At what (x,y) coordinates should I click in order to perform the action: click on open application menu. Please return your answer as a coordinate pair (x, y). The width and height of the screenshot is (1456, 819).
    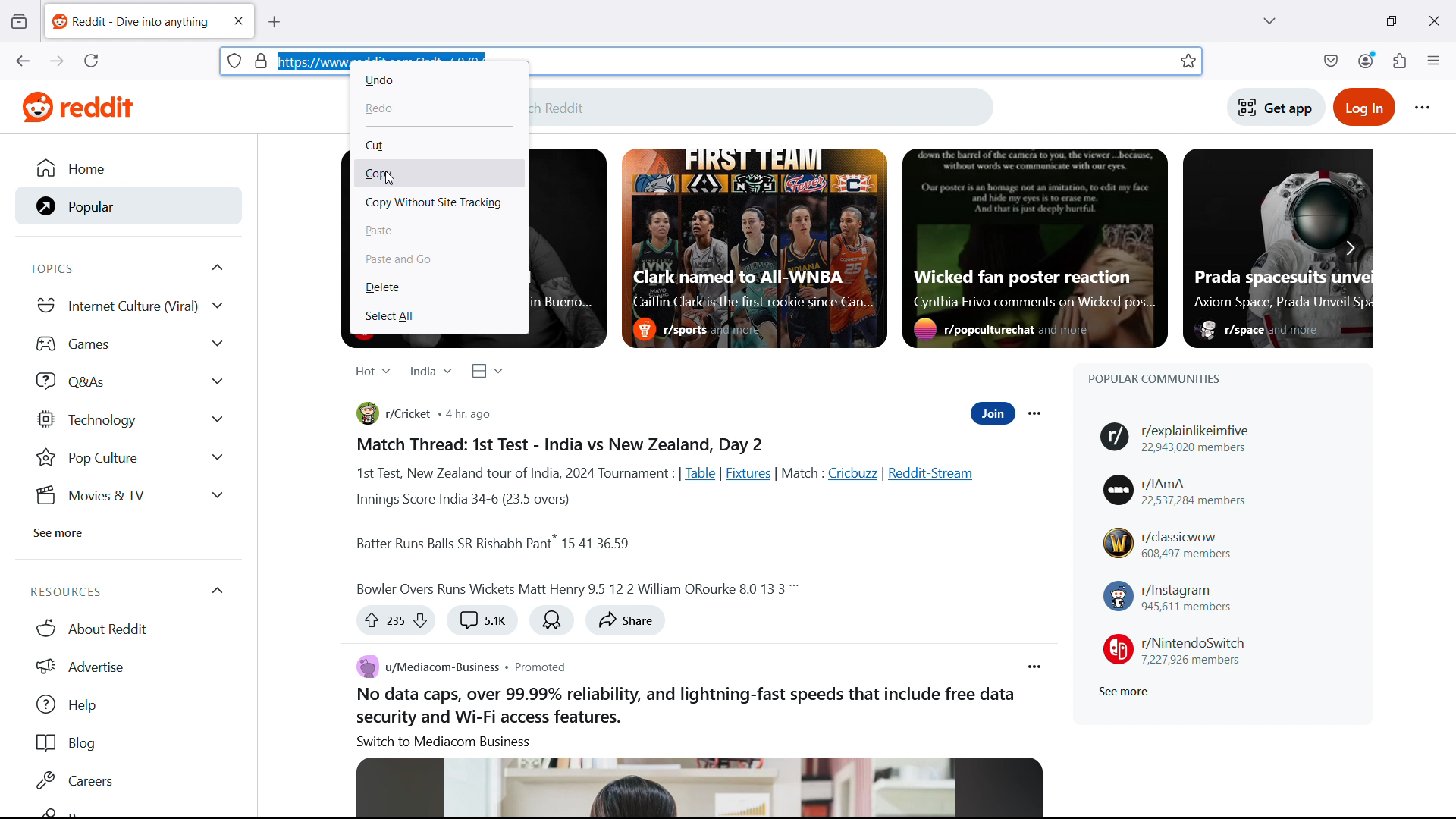
    Looking at the image, I should click on (1432, 60).